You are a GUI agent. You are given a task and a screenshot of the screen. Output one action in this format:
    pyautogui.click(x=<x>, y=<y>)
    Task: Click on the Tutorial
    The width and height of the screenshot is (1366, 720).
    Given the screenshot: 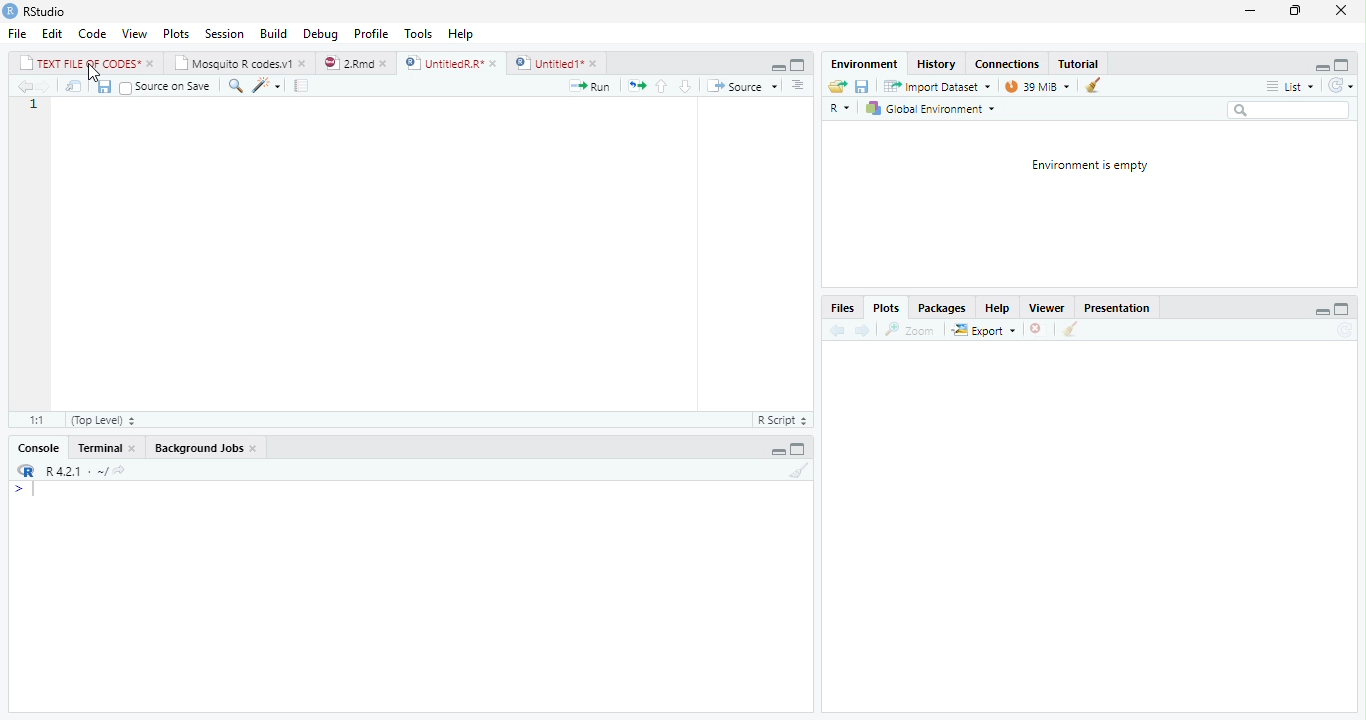 What is the action you would take?
    pyautogui.click(x=1081, y=63)
    